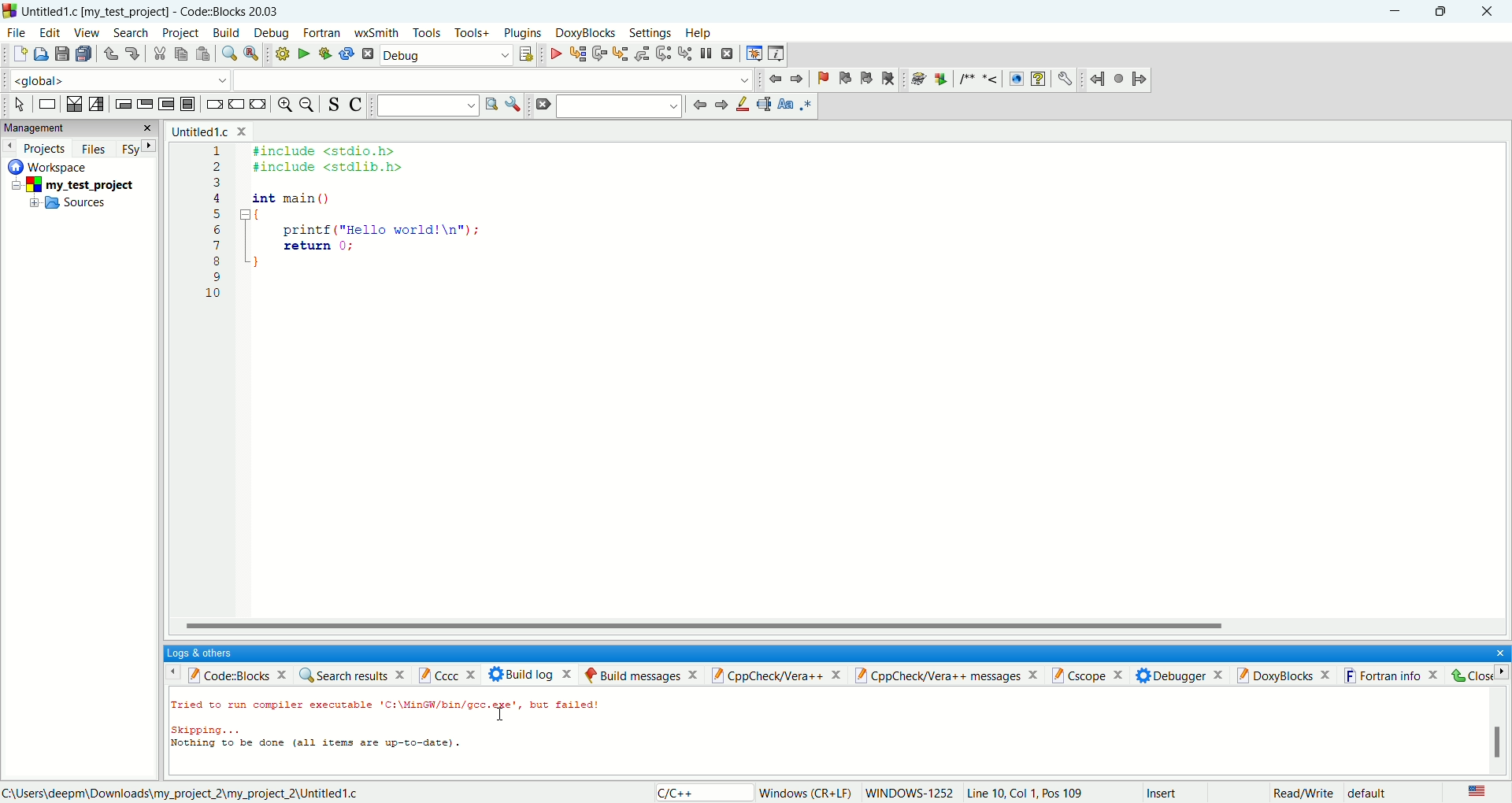  What do you see at coordinates (1287, 674) in the screenshot?
I see `doxyblocks` at bounding box center [1287, 674].